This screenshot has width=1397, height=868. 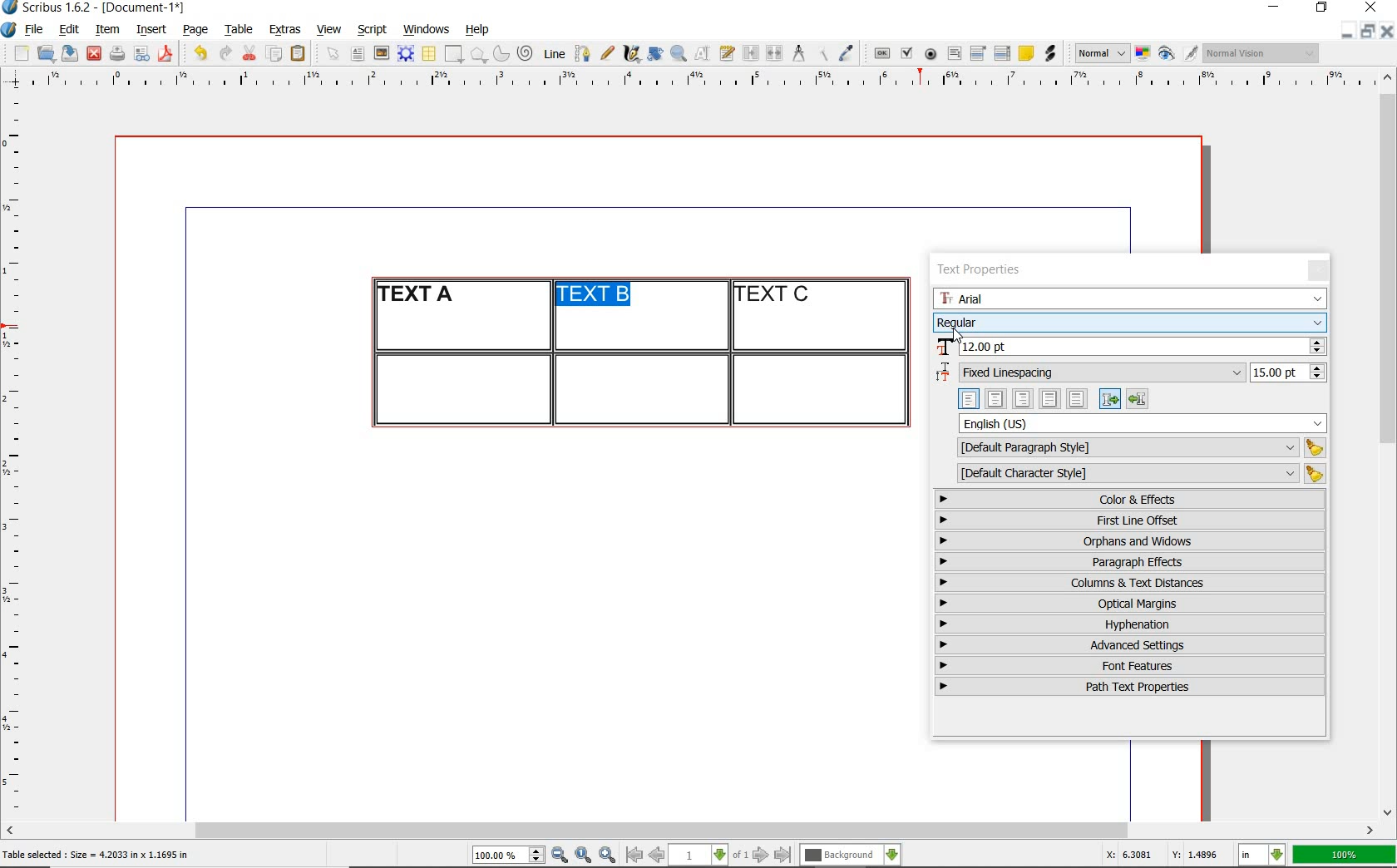 What do you see at coordinates (456, 55) in the screenshot?
I see `shape` at bounding box center [456, 55].